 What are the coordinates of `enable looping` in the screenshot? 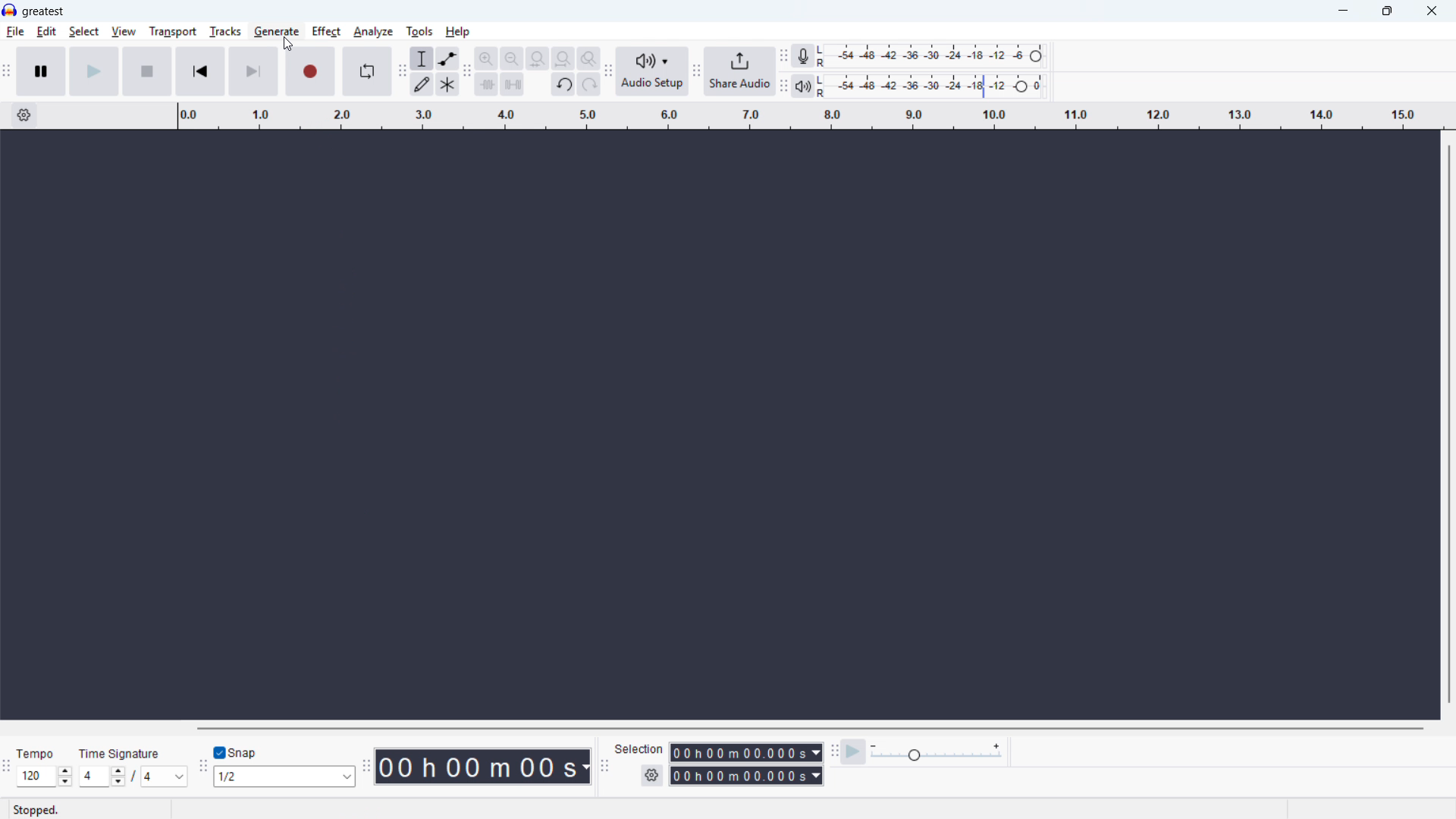 It's located at (367, 72).